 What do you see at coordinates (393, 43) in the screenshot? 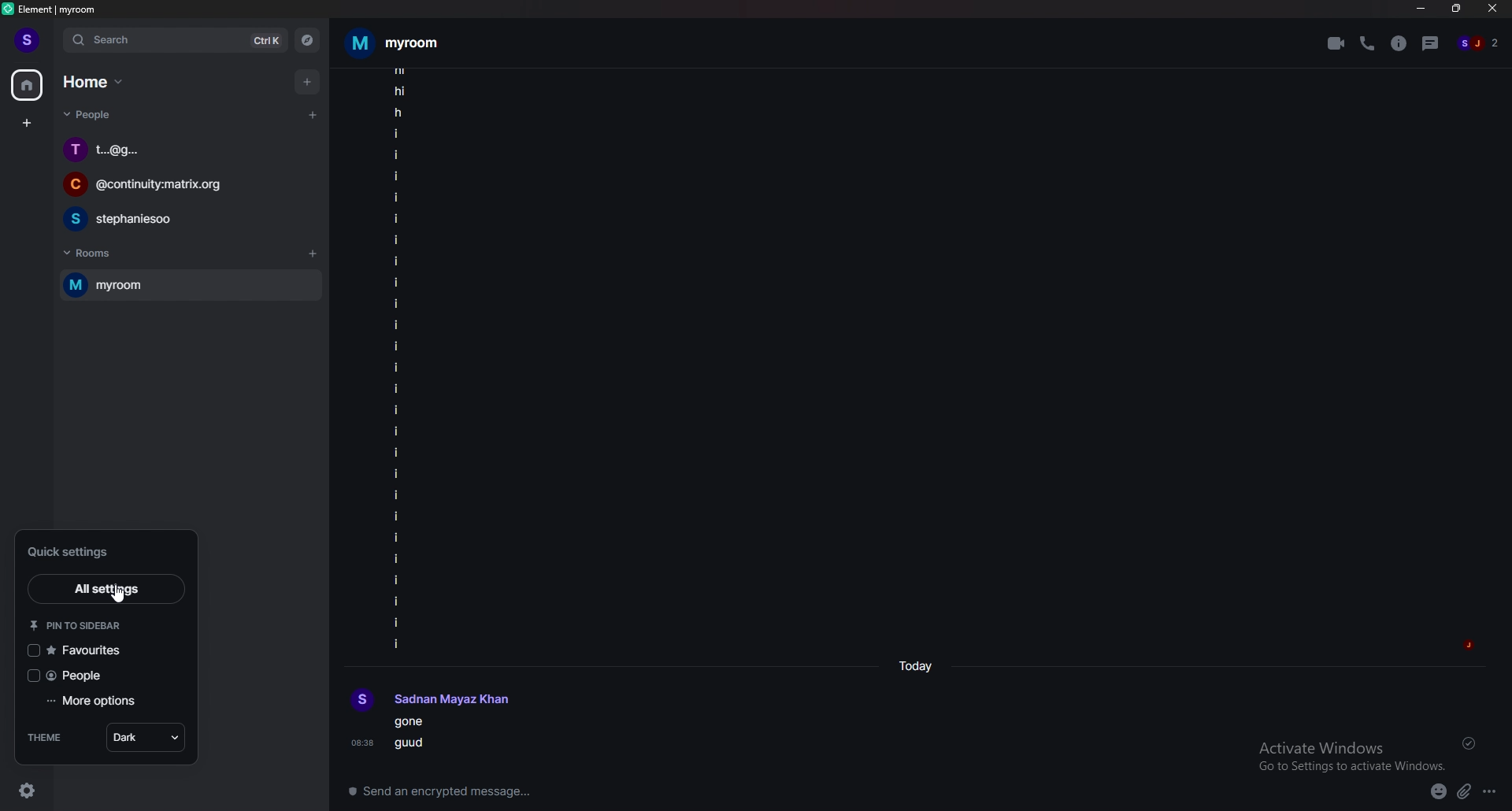
I see `room` at bounding box center [393, 43].